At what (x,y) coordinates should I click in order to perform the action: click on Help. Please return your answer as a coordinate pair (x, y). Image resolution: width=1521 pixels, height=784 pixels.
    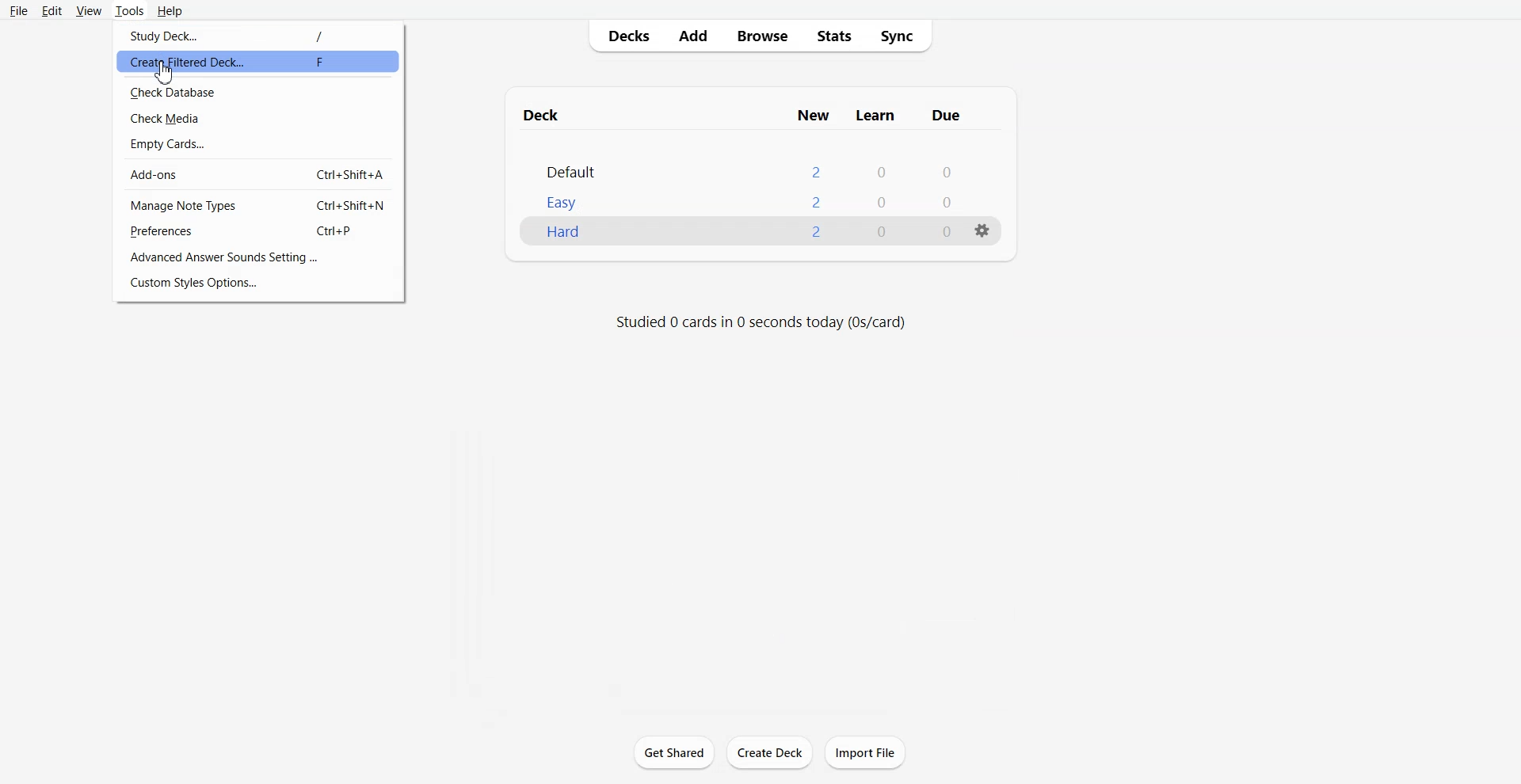
    Looking at the image, I should click on (171, 11).